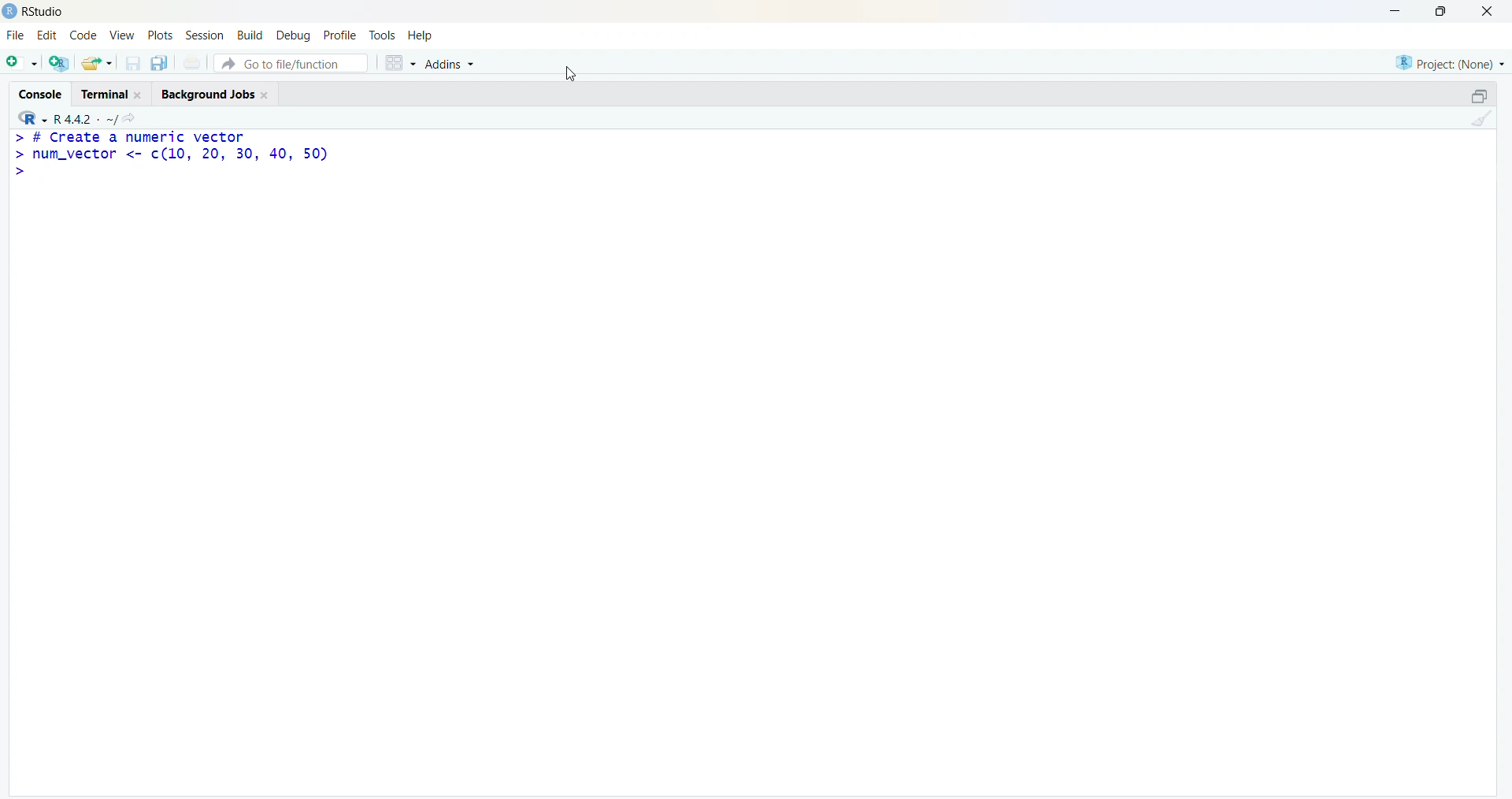  What do you see at coordinates (250, 35) in the screenshot?
I see `build` at bounding box center [250, 35].